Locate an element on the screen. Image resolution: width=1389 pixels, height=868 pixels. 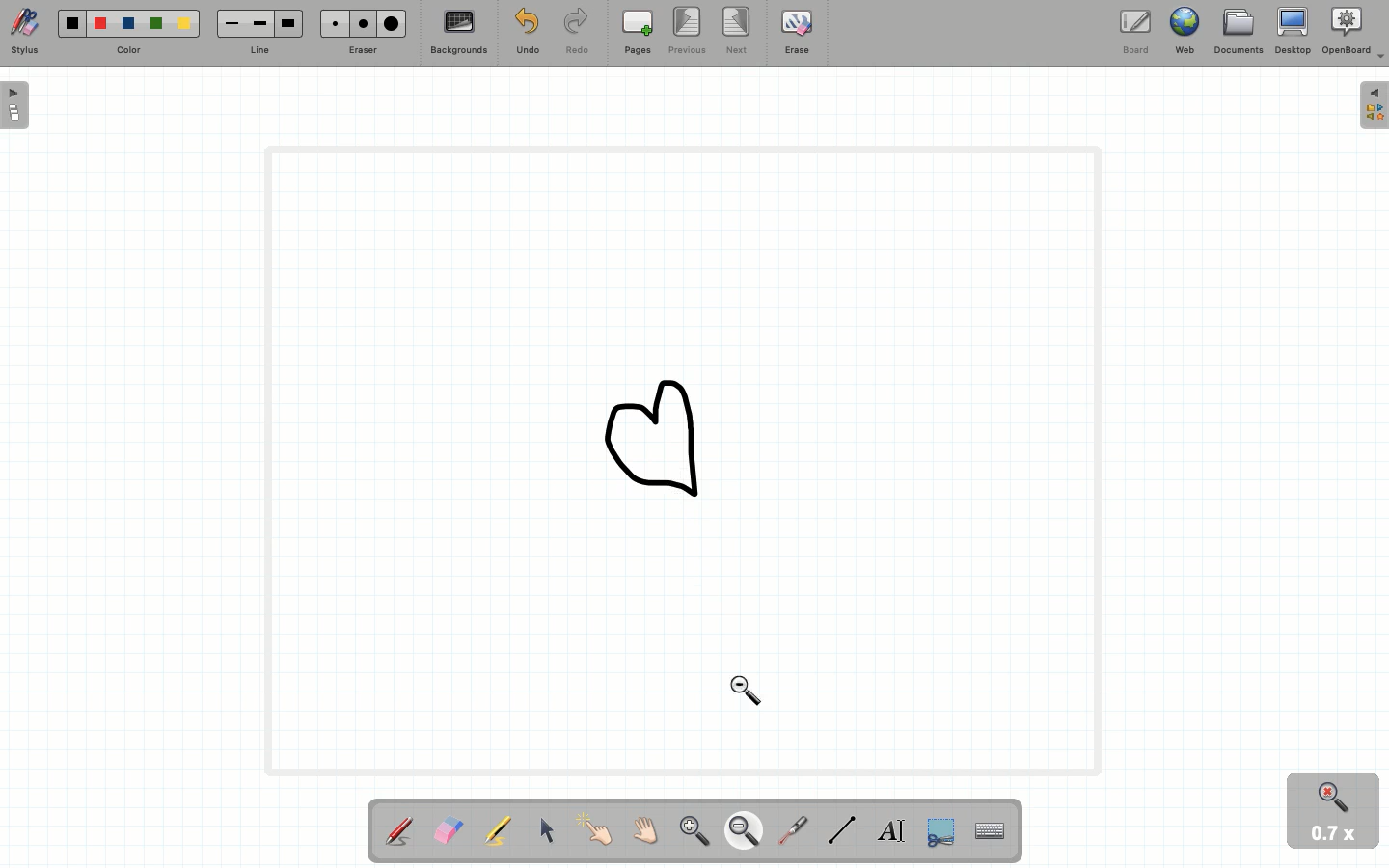
Next is located at coordinates (737, 30).